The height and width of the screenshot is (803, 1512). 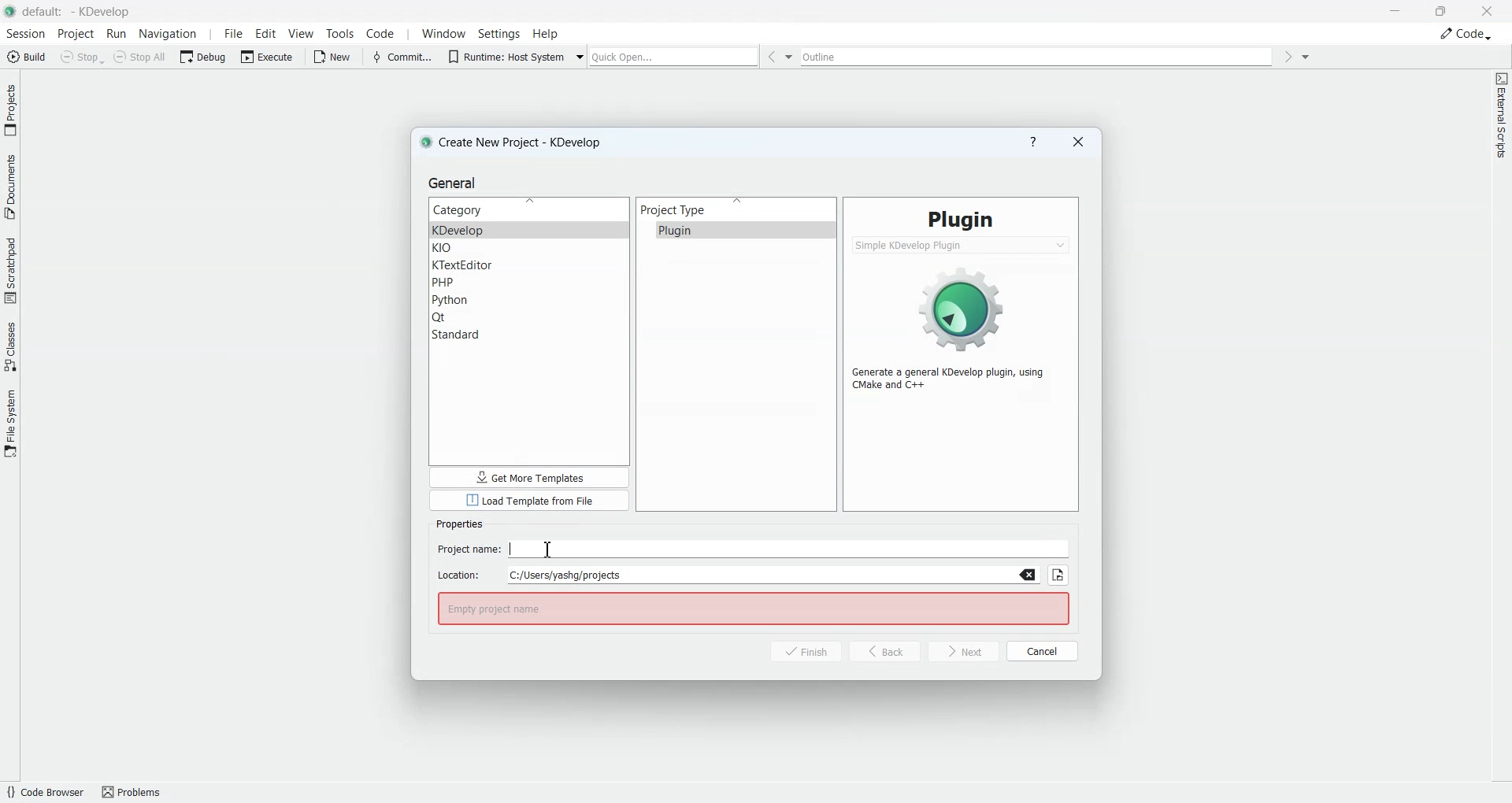 What do you see at coordinates (11, 109) in the screenshot?
I see `Projects` at bounding box center [11, 109].